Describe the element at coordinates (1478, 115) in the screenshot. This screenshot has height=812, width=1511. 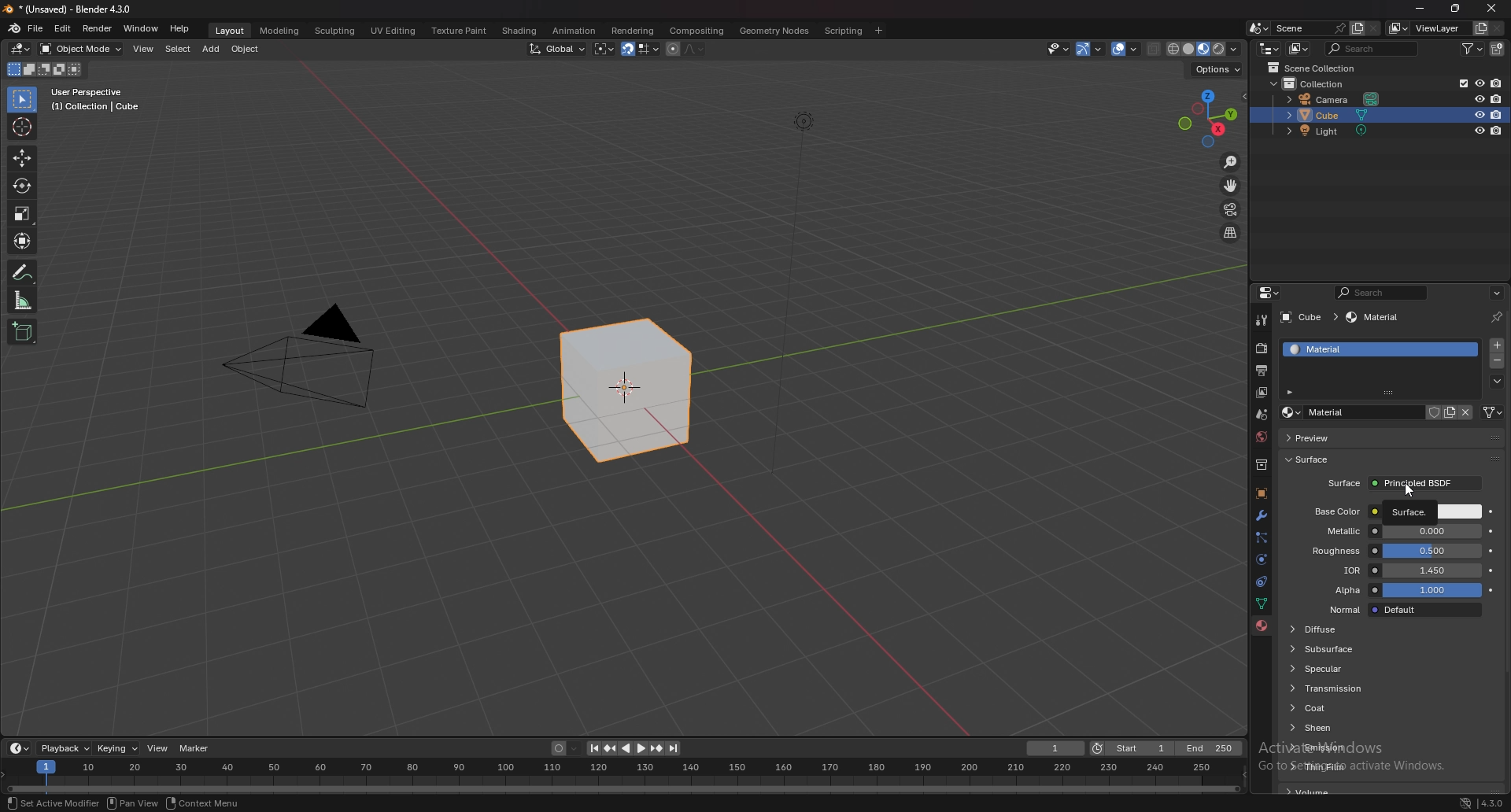
I see `hide in viewport` at that location.